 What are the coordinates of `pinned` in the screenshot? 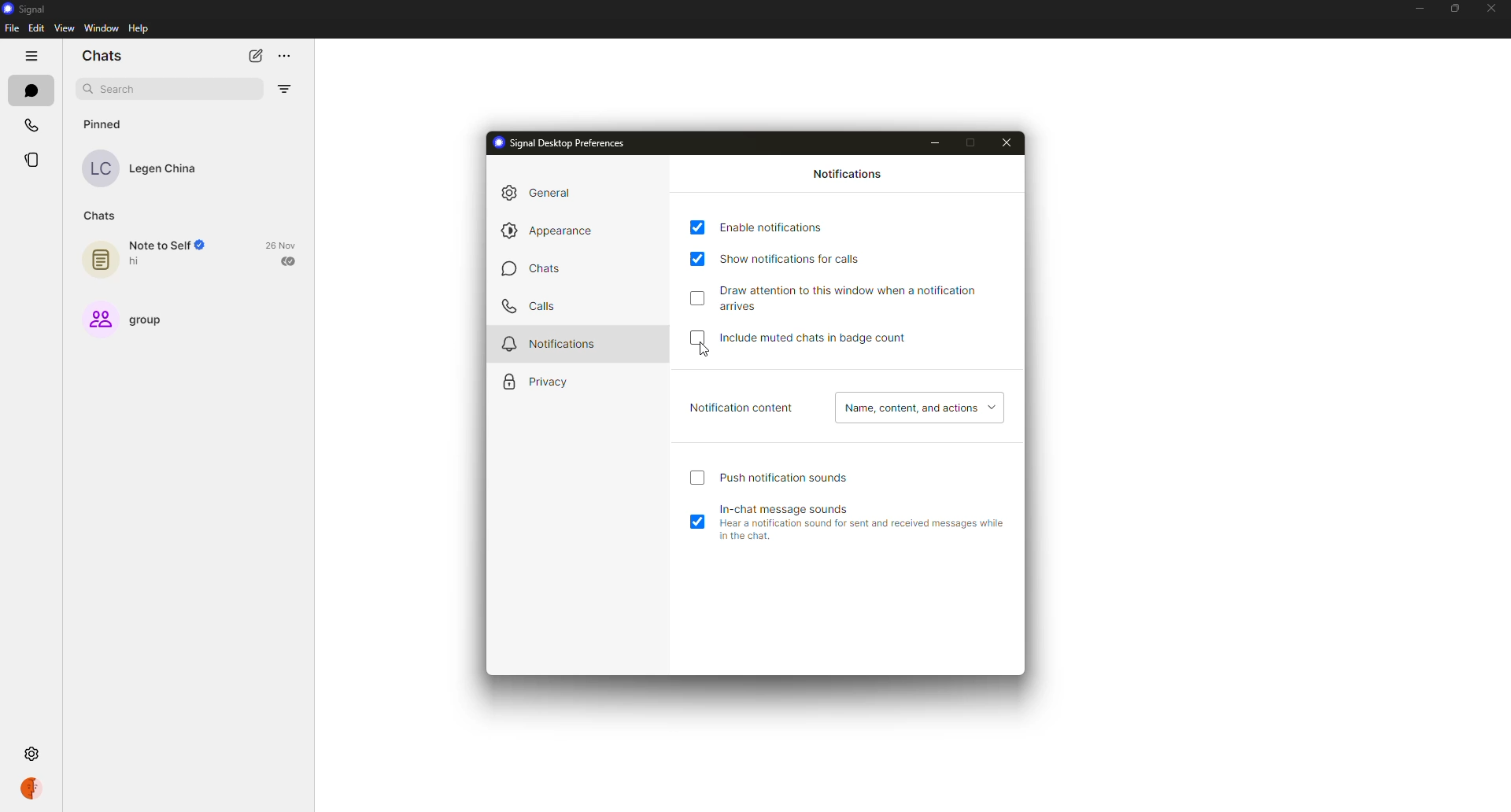 It's located at (102, 123).